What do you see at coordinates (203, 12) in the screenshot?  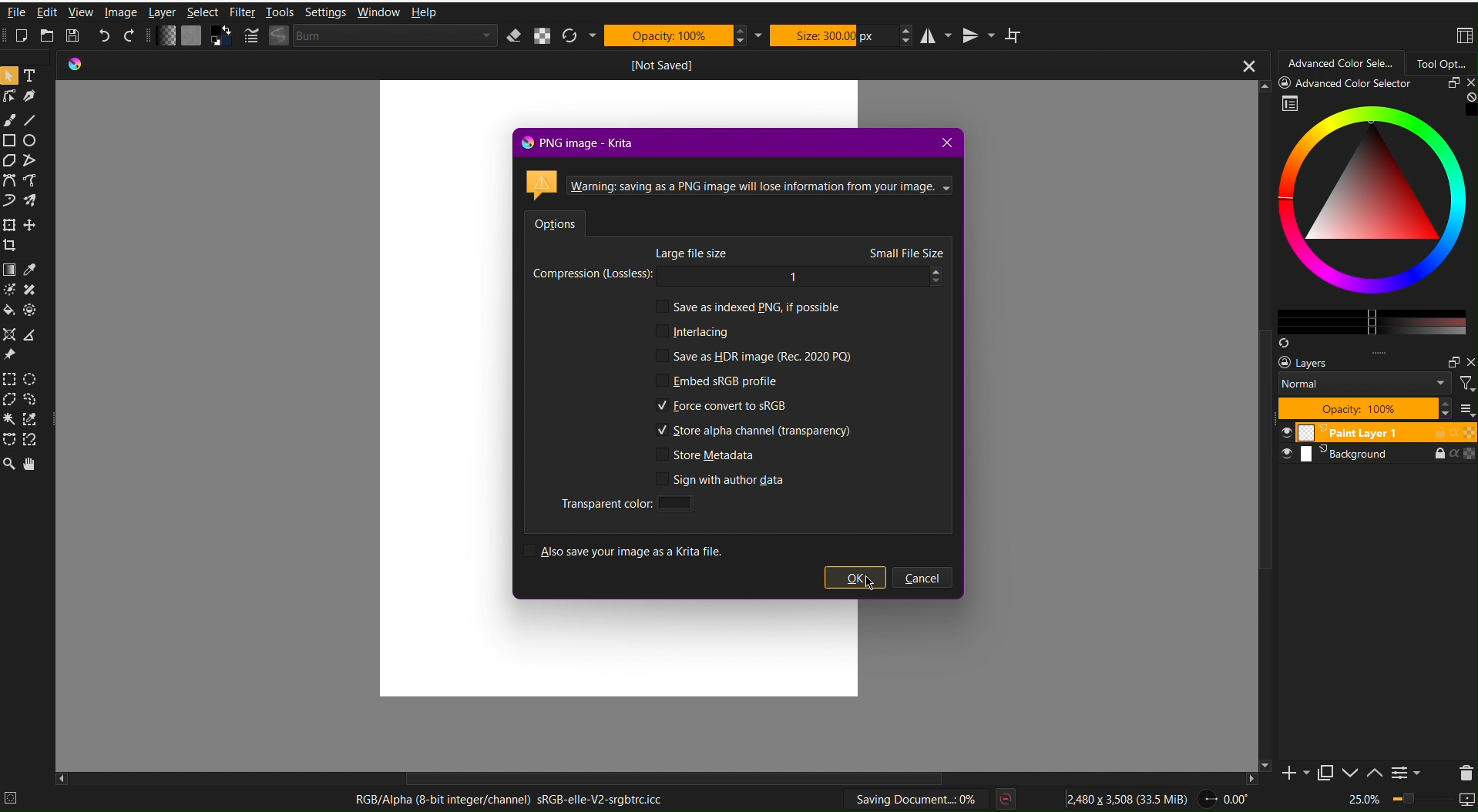 I see `Select` at bounding box center [203, 12].